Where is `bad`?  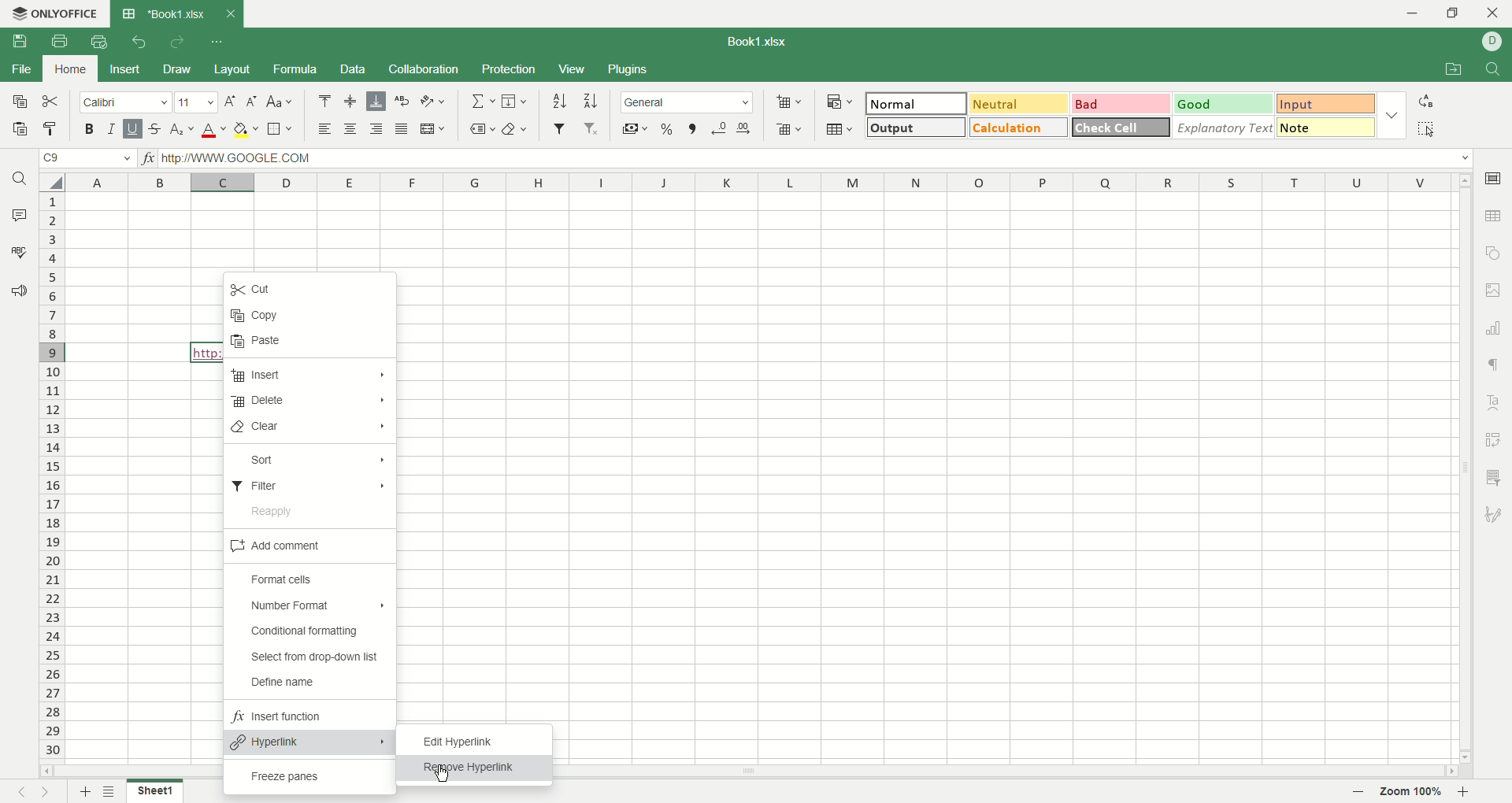
bad is located at coordinates (1121, 102).